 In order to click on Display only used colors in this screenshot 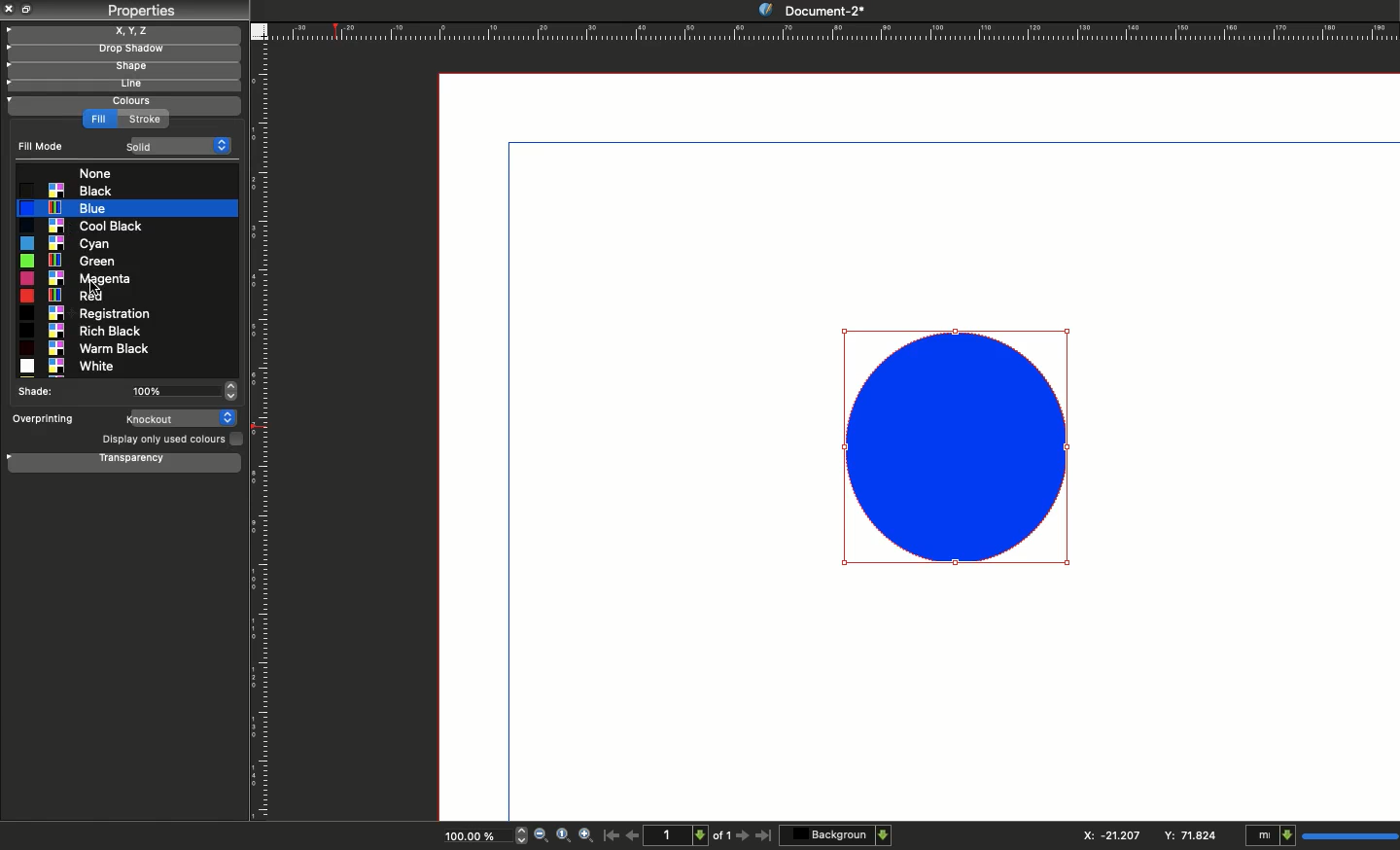, I will do `click(172, 442)`.